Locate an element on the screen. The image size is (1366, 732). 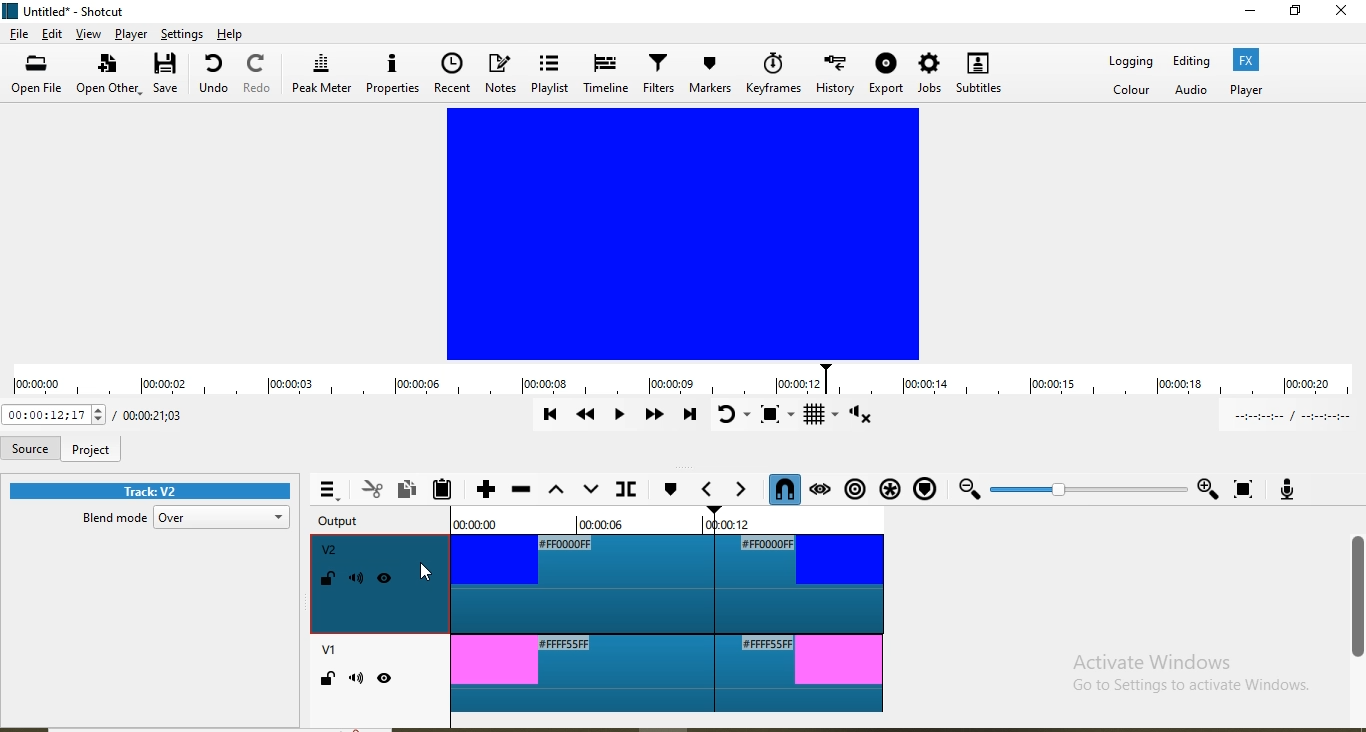
Toggle play or pause is located at coordinates (616, 413).